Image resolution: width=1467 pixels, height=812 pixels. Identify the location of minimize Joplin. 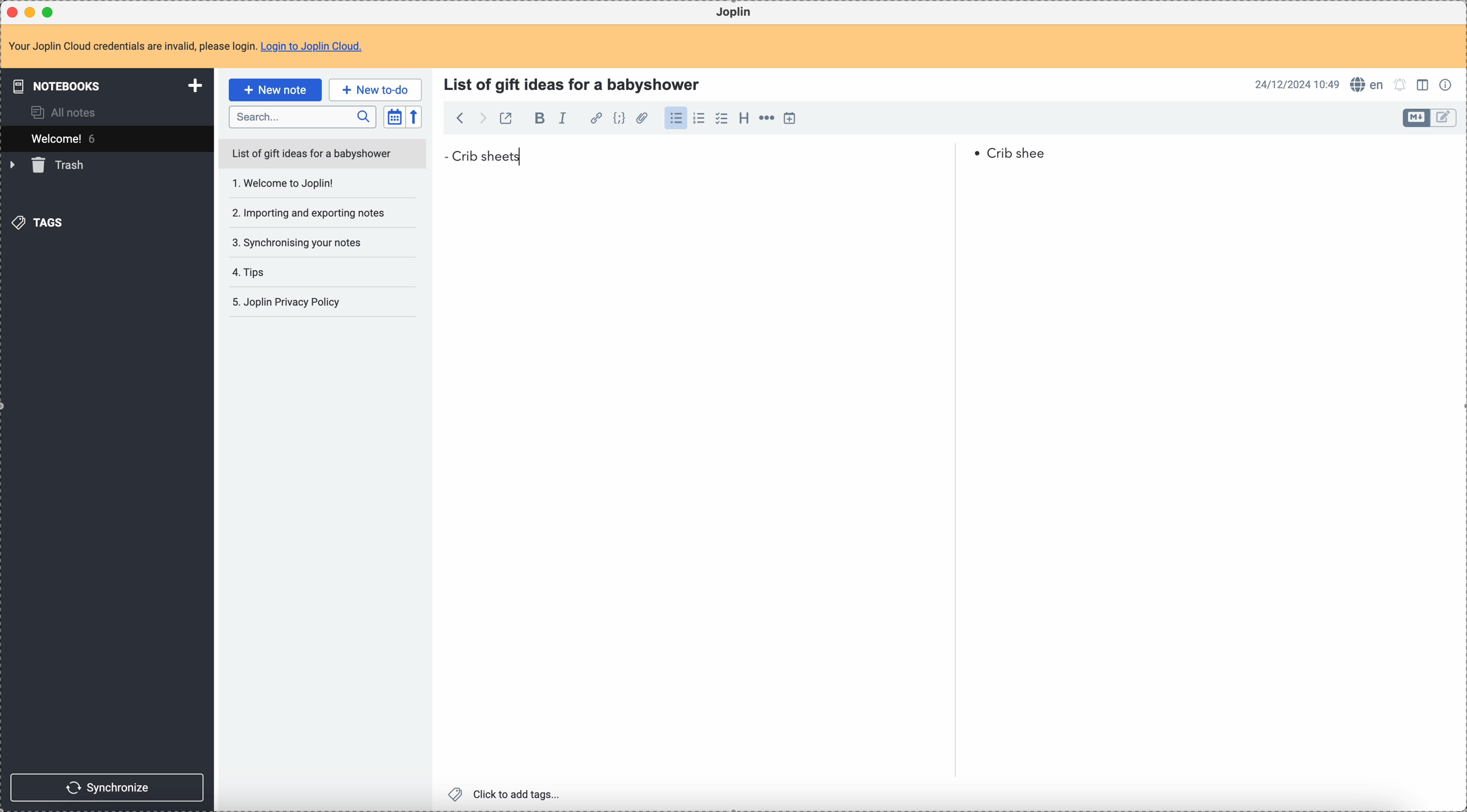
(32, 12).